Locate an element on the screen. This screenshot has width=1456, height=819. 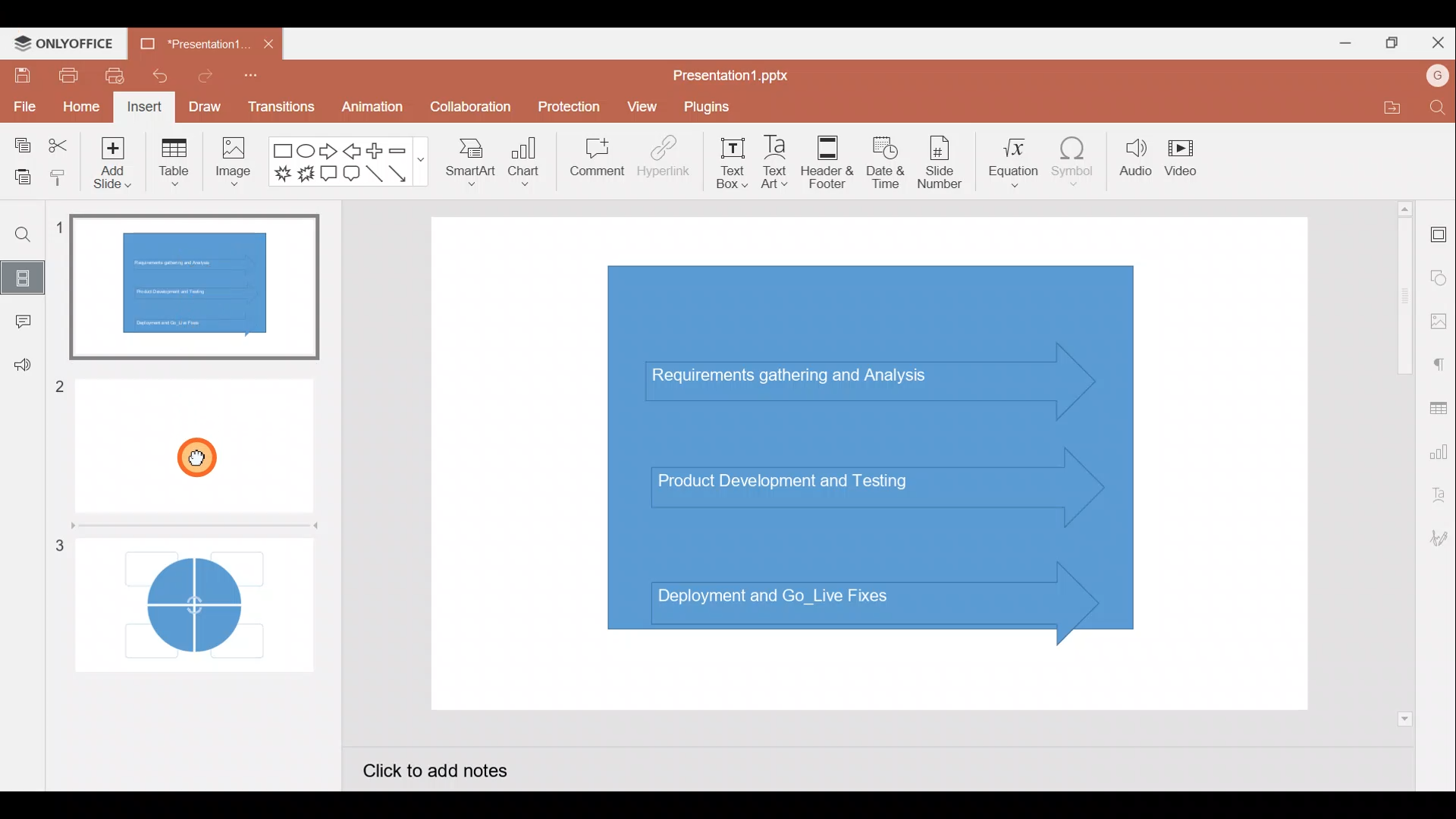
Protection is located at coordinates (566, 103).